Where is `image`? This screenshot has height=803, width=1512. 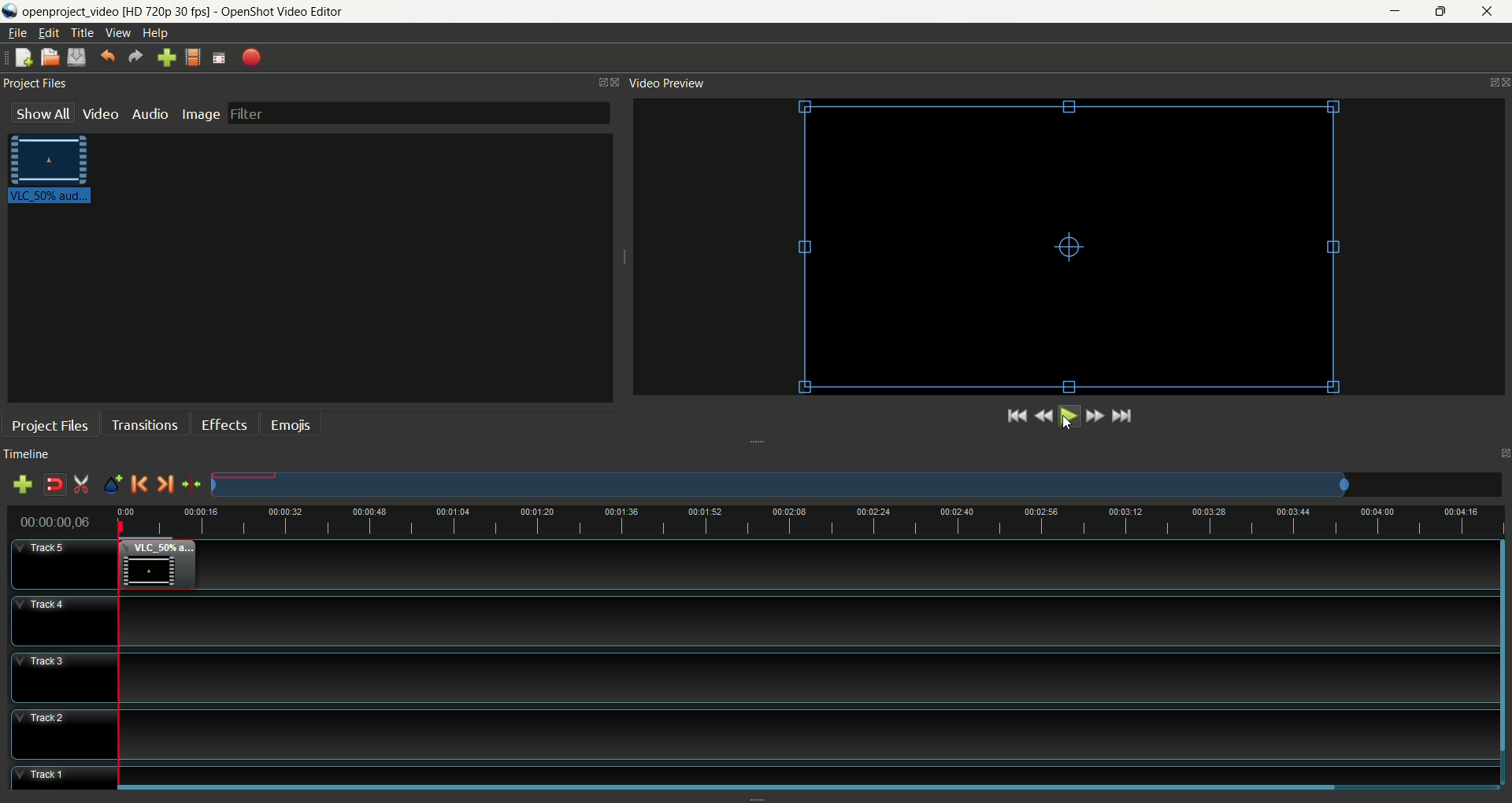
image is located at coordinates (201, 112).